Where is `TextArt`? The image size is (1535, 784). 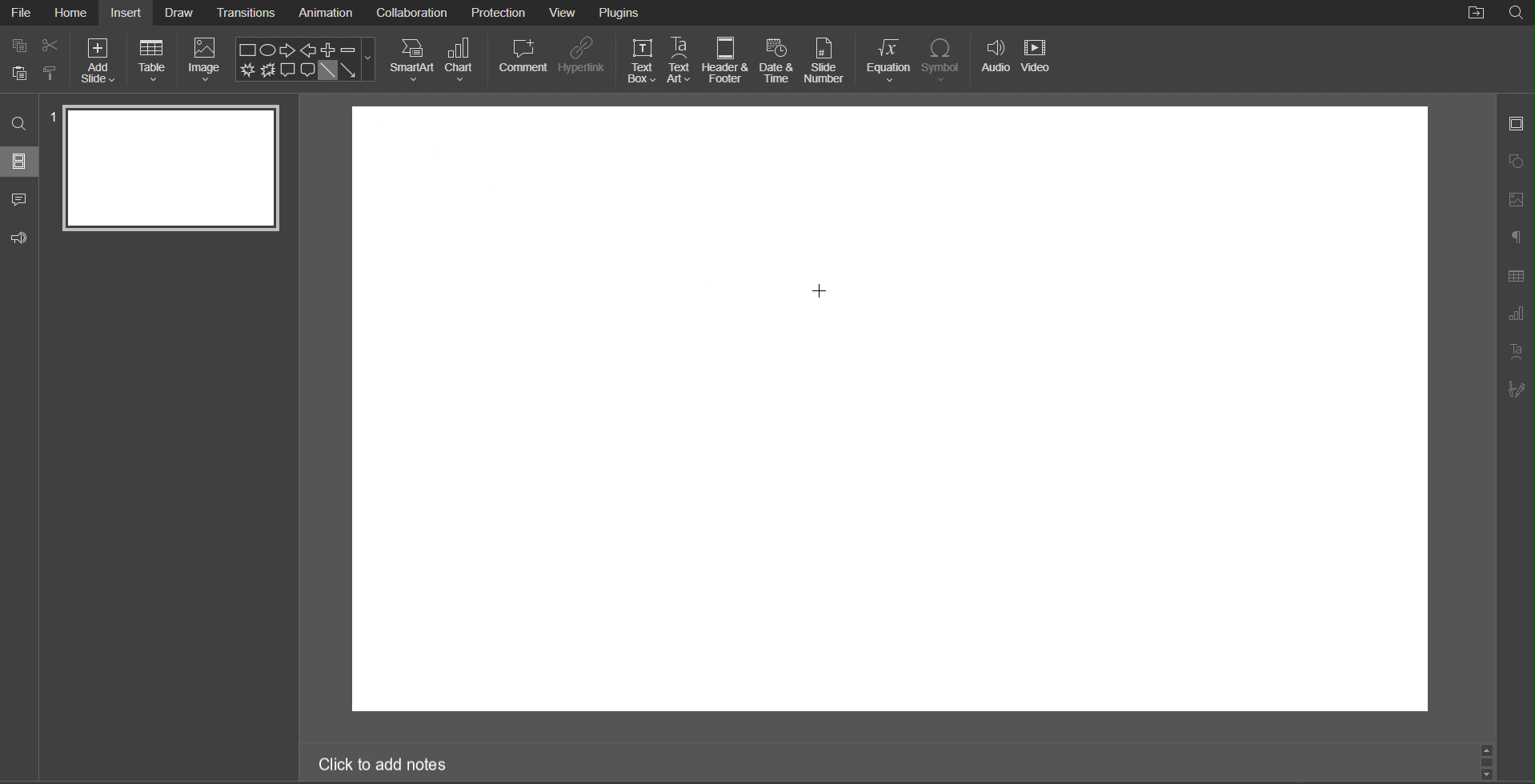 TextArt is located at coordinates (1517, 351).